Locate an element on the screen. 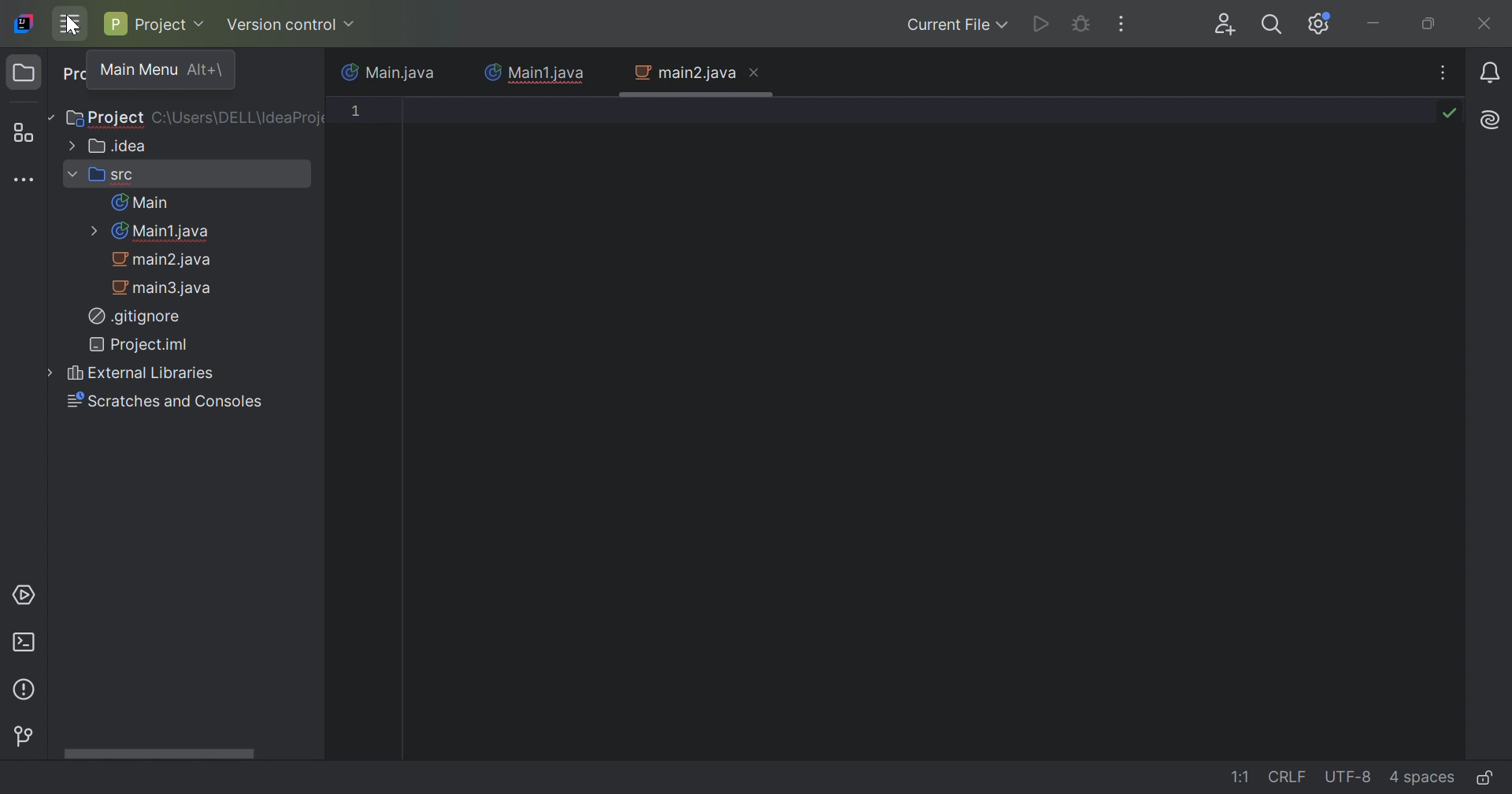 This screenshot has width=1512, height=794. c:\Users\DELL\IdeaProject is located at coordinates (236, 118).